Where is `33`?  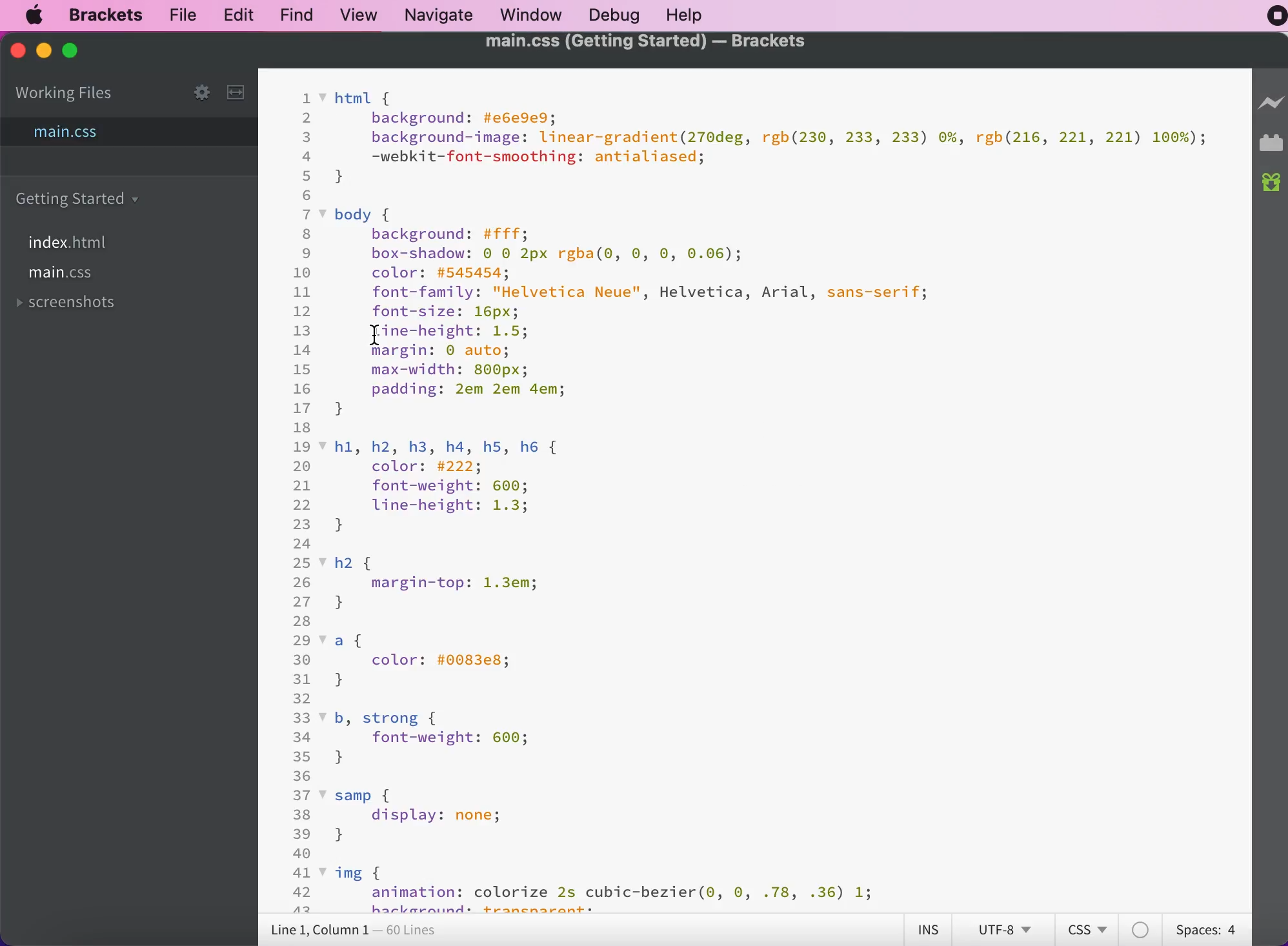
33 is located at coordinates (302, 719).